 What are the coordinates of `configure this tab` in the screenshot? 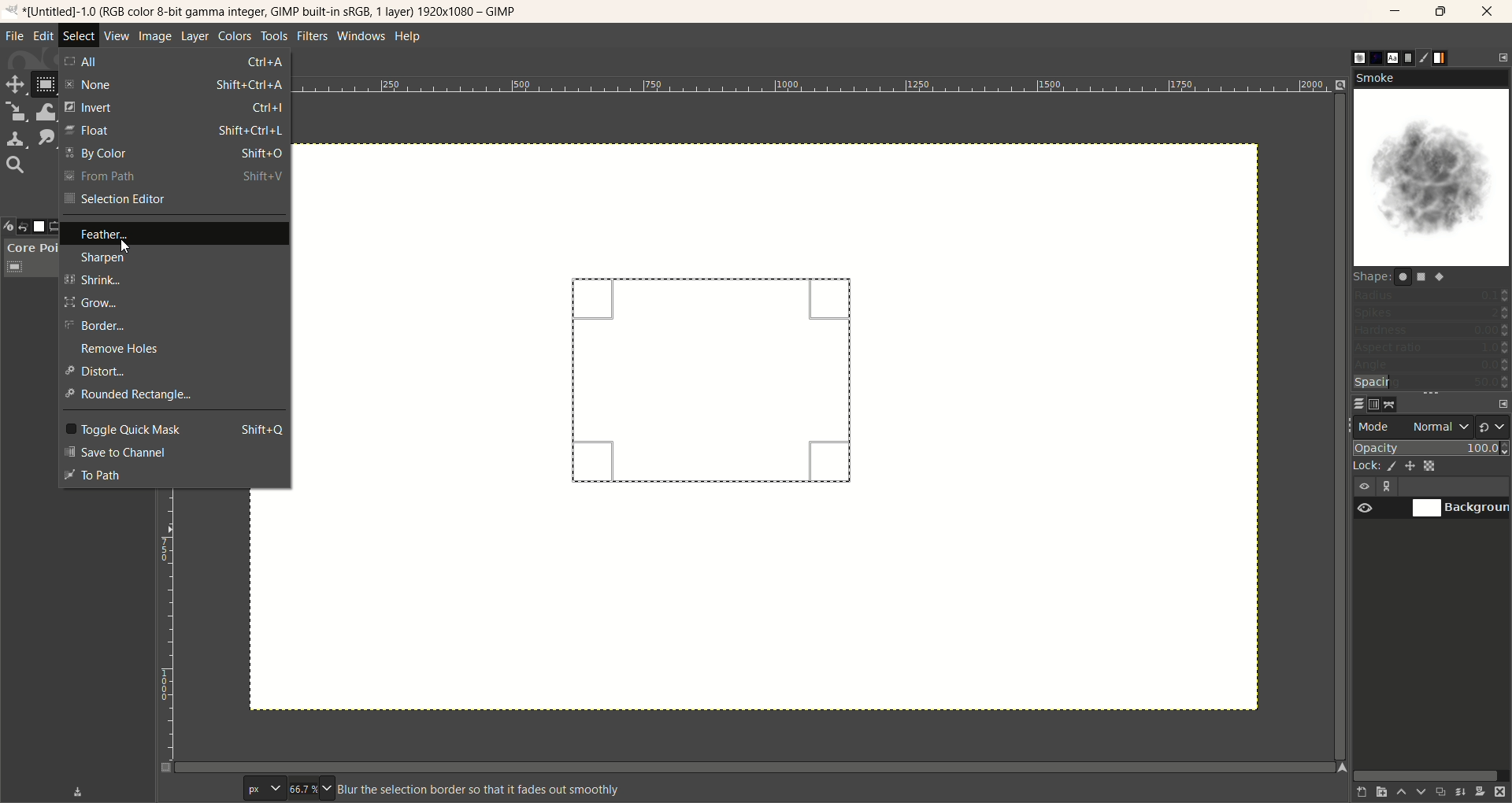 It's located at (1501, 57).